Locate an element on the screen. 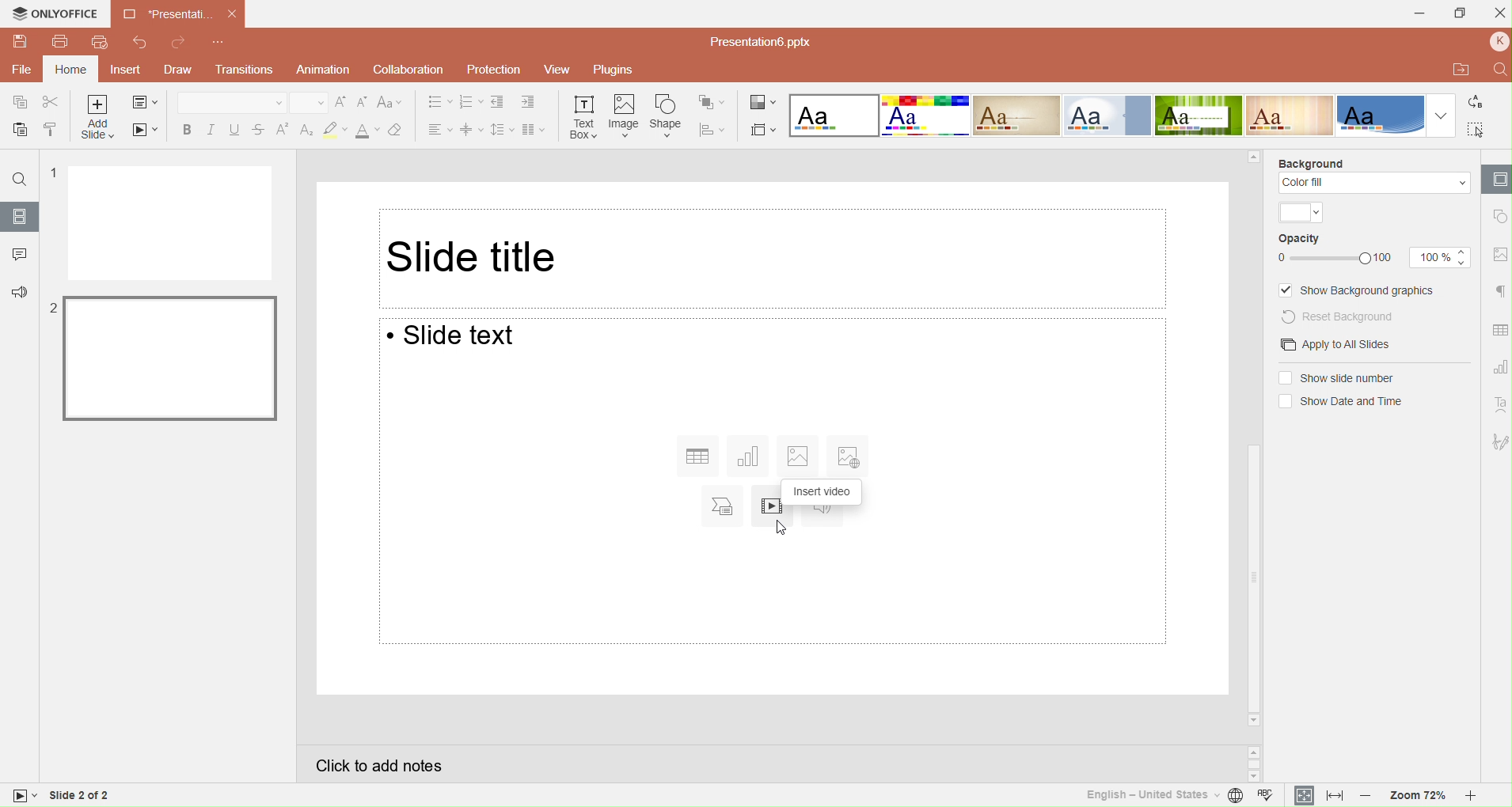 The width and height of the screenshot is (1512, 807). Lines is located at coordinates (1290, 116).